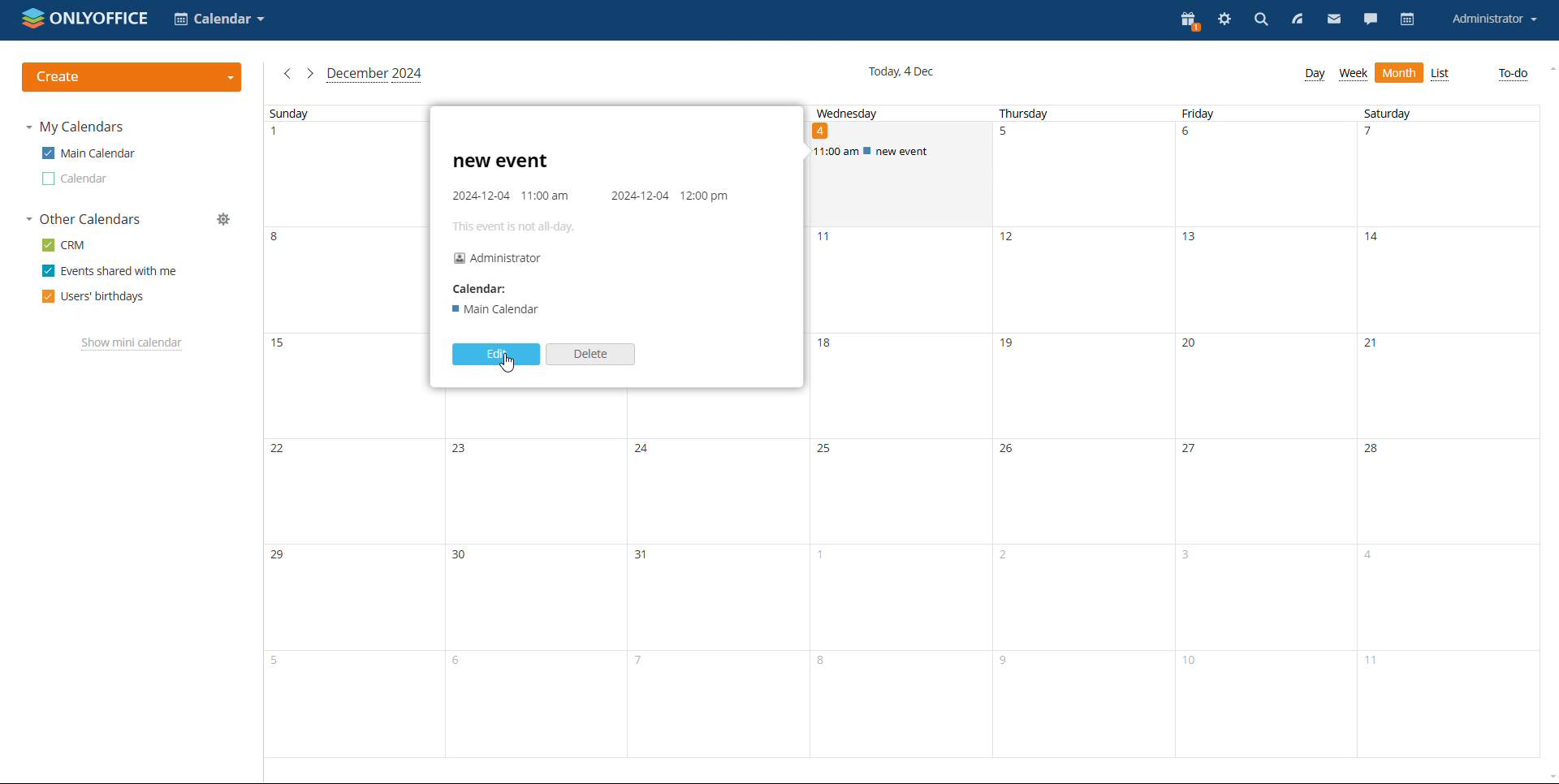 This screenshot has width=1559, height=784. What do you see at coordinates (1549, 776) in the screenshot?
I see `scroll down` at bounding box center [1549, 776].